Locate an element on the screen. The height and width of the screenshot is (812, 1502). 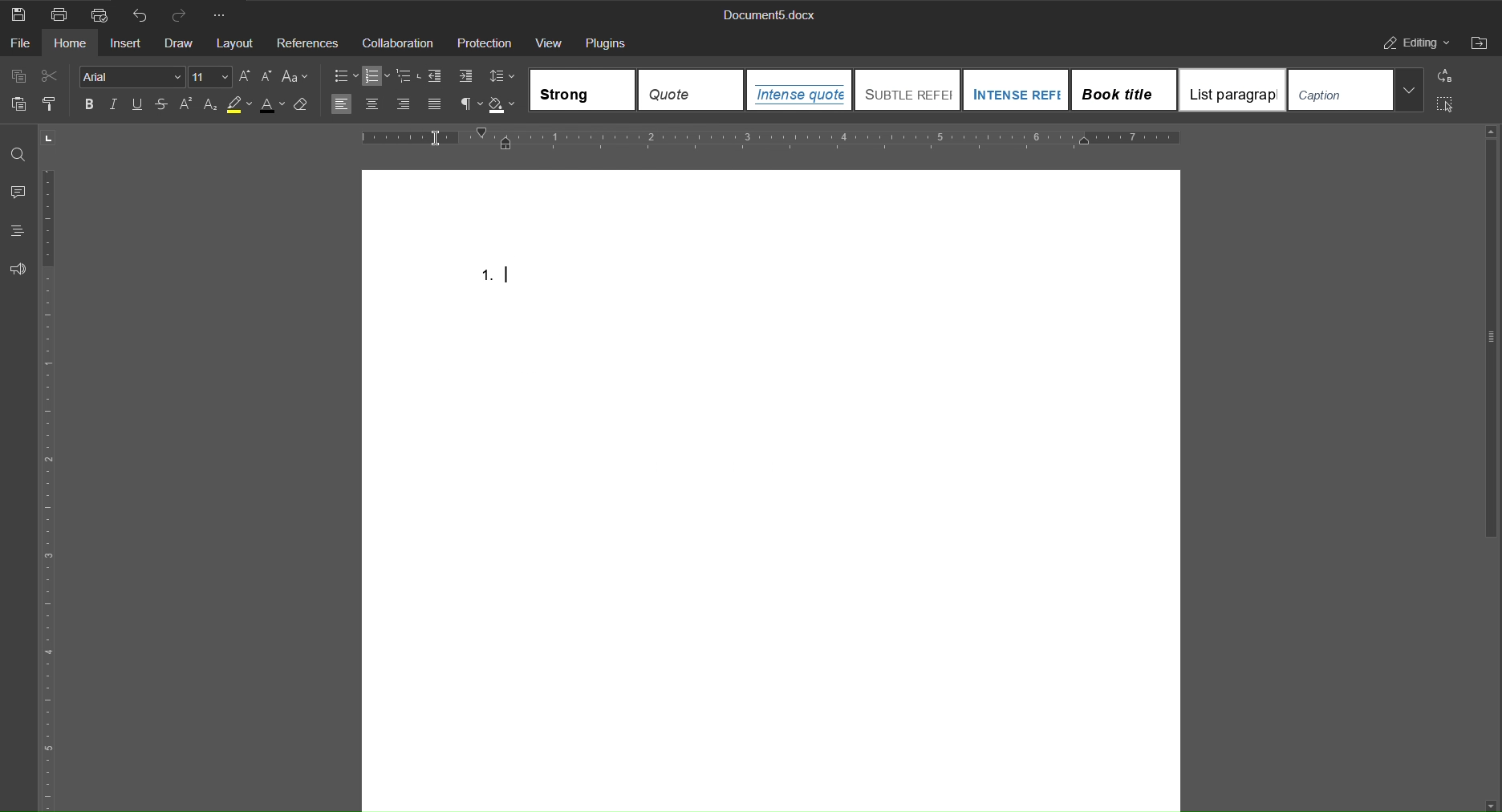
Select All is located at coordinates (1447, 105).